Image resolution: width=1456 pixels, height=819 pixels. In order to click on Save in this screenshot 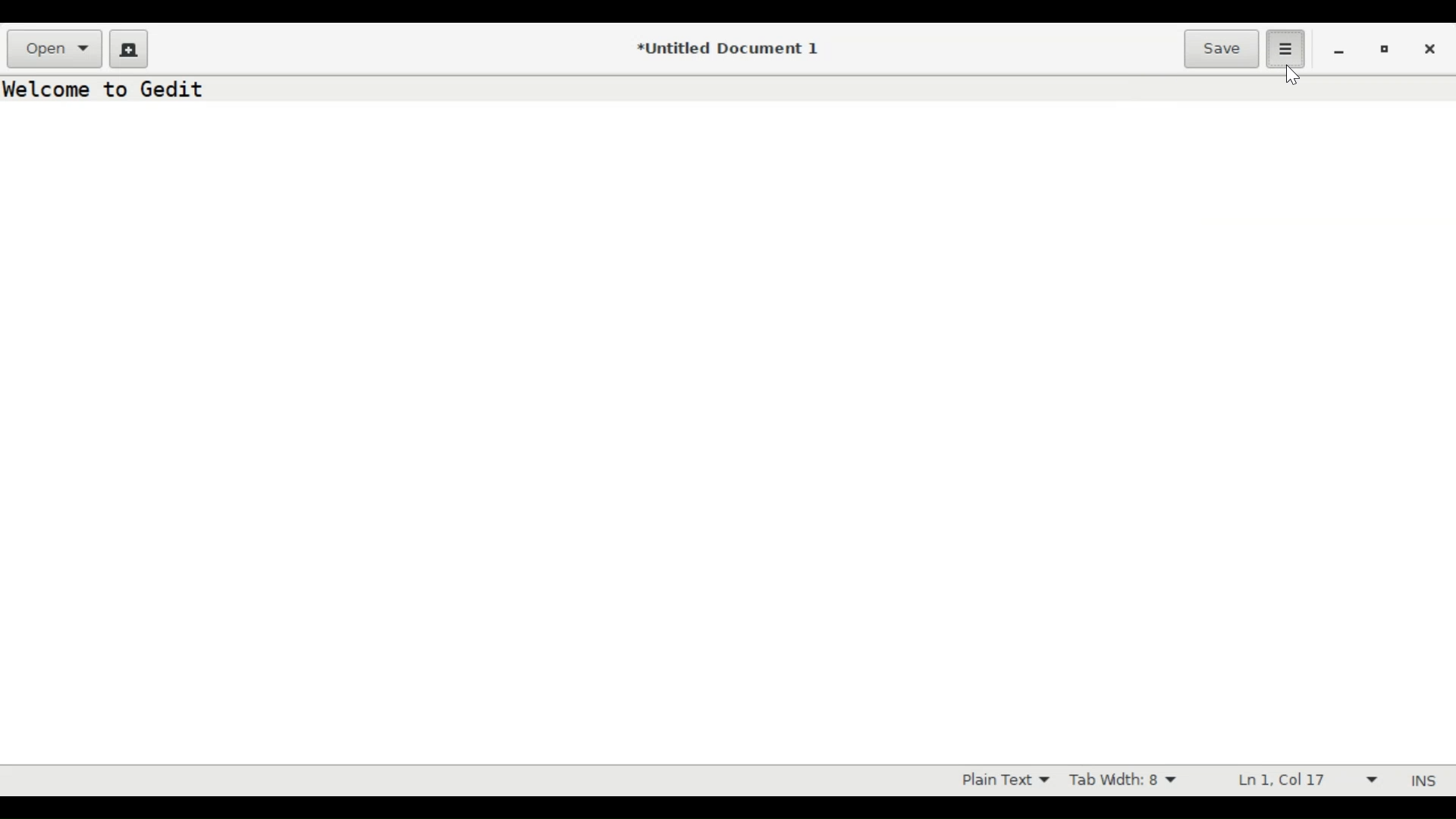, I will do `click(1222, 48)`.